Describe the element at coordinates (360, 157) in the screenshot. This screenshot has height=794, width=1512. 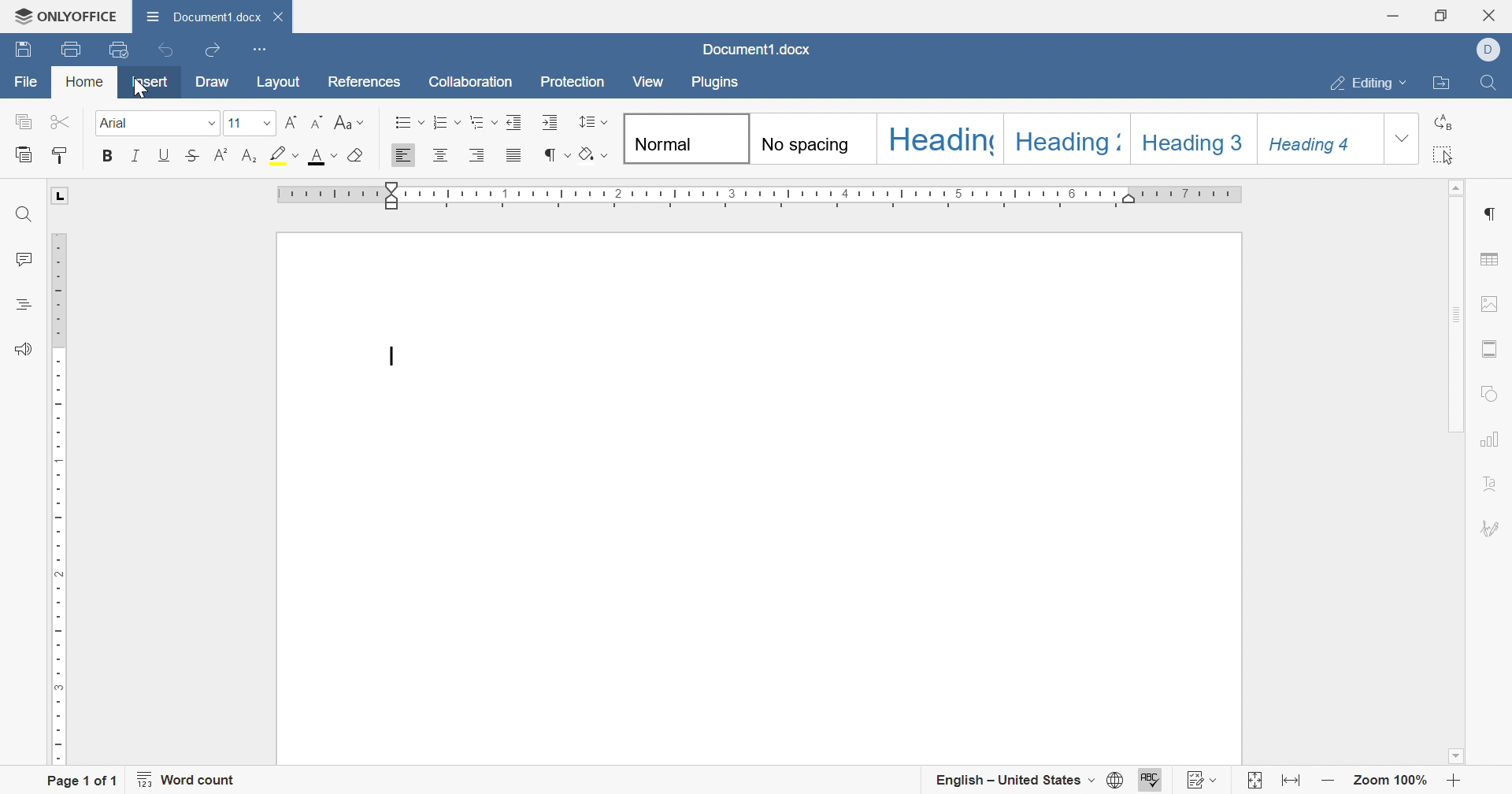
I see `Clear style` at that location.